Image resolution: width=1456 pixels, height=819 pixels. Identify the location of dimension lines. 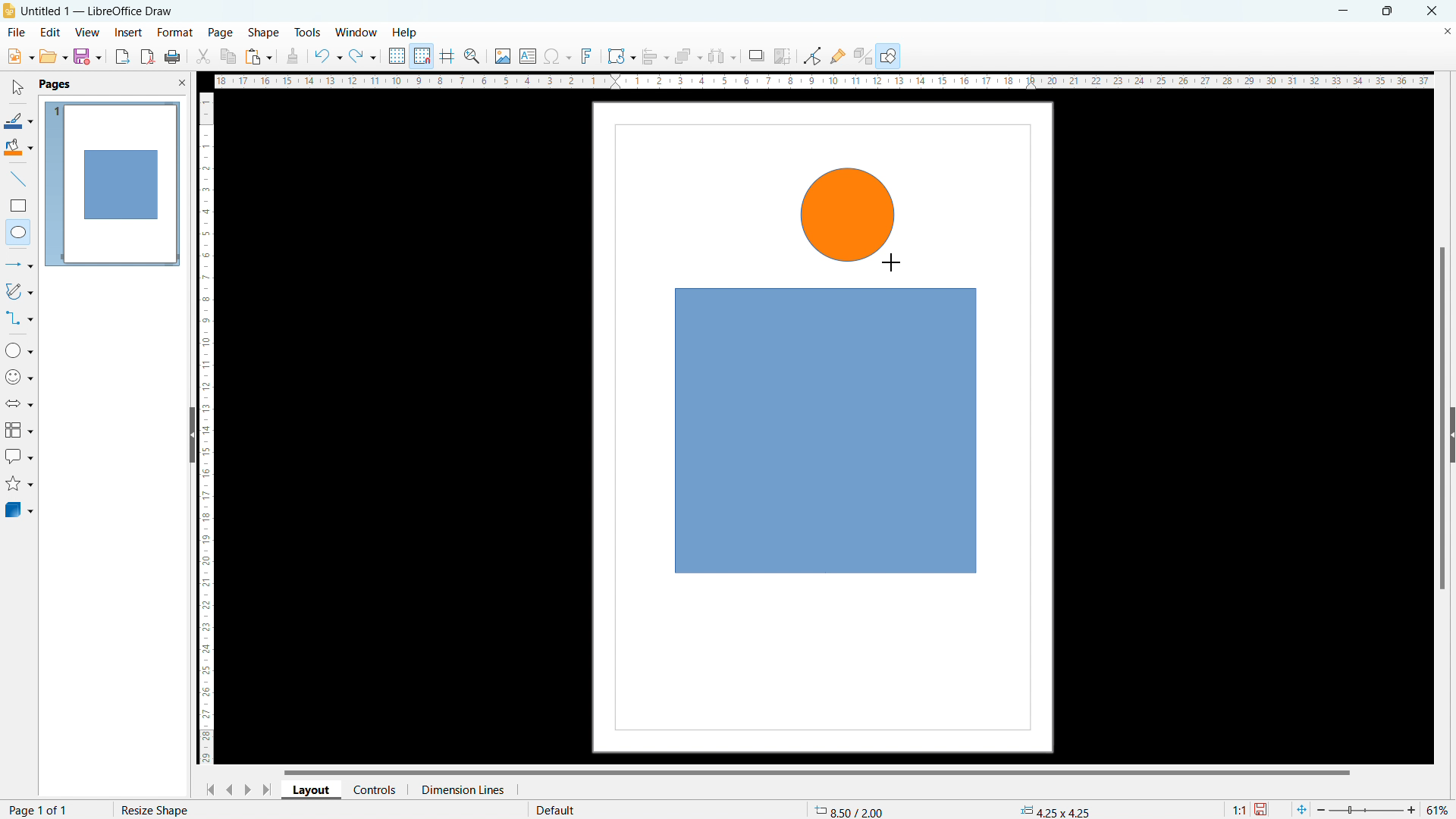
(462, 789).